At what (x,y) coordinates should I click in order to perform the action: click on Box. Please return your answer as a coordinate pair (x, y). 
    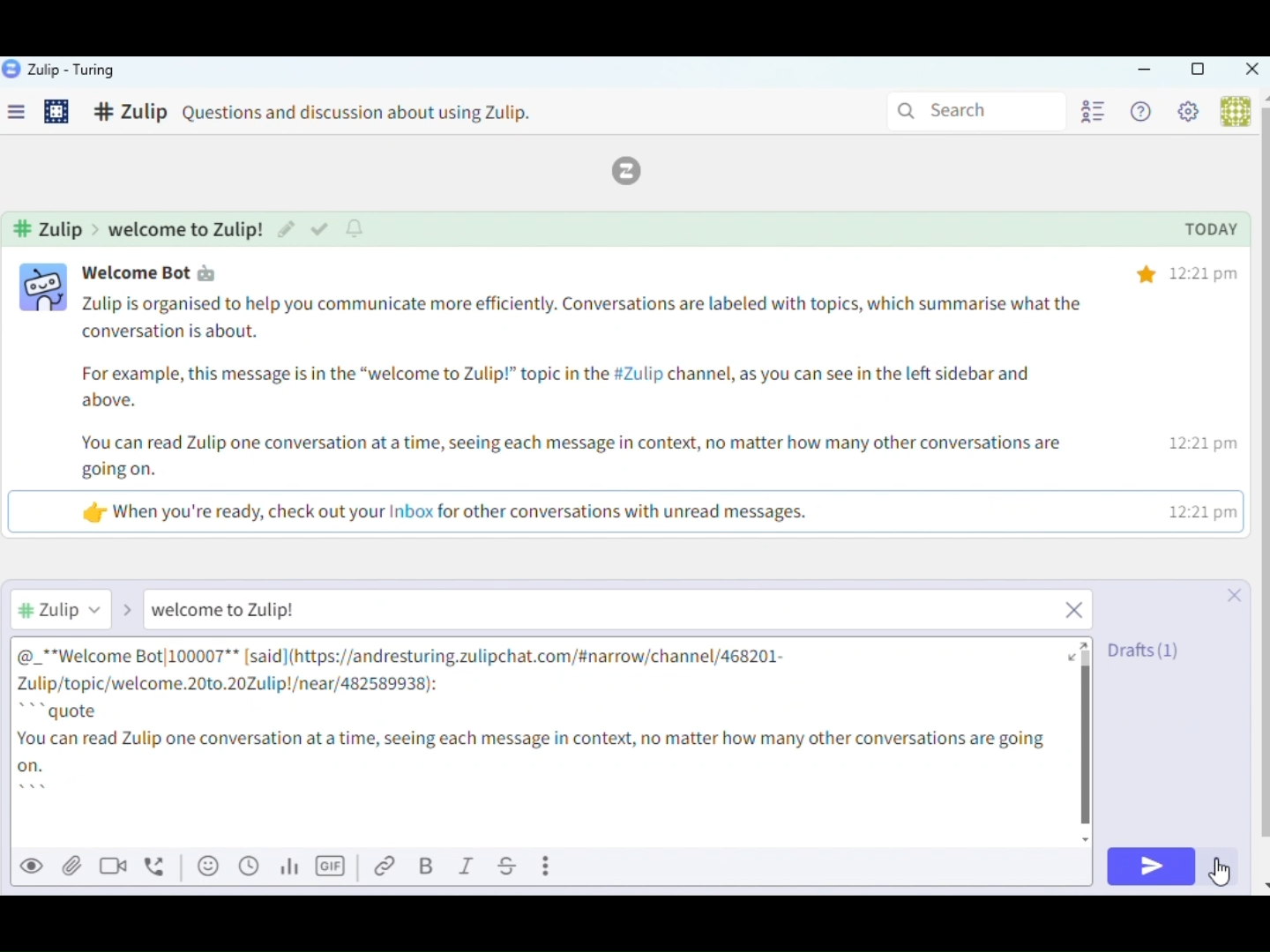
    Looking at the image, I should click on (1197, 70).